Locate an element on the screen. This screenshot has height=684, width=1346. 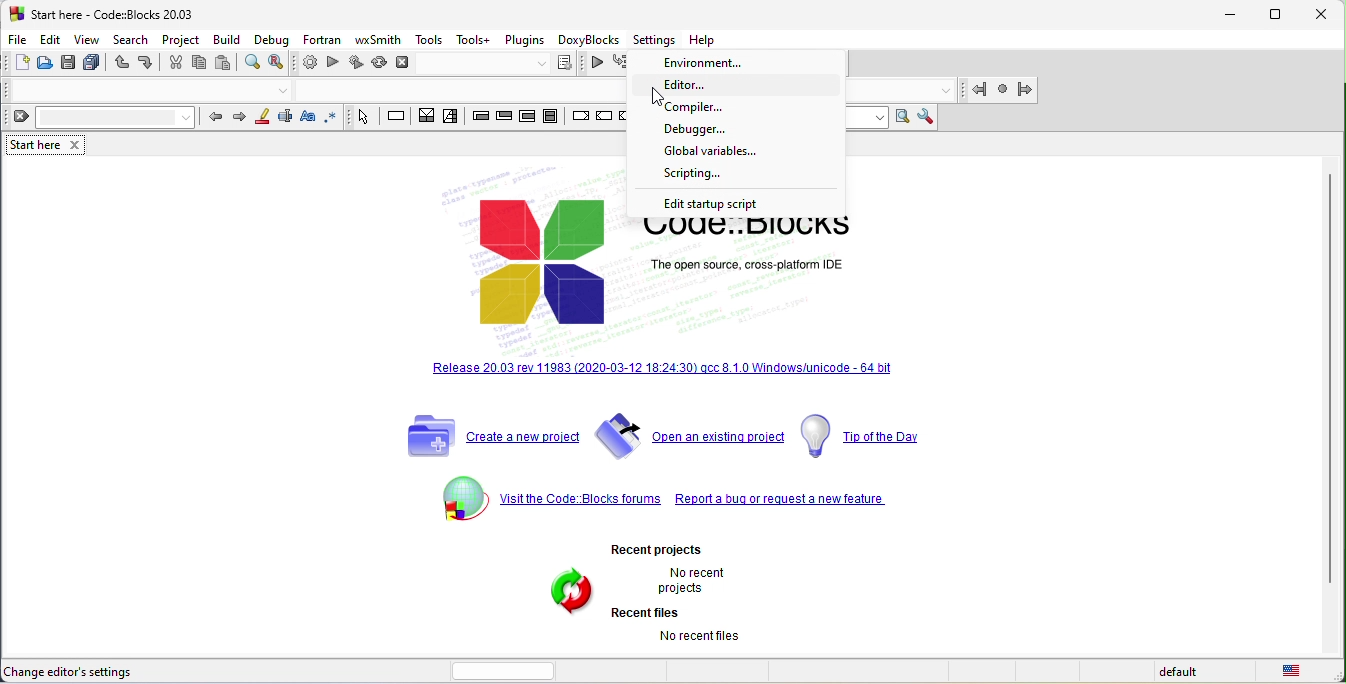
undo is located at coordinates (118, 67).